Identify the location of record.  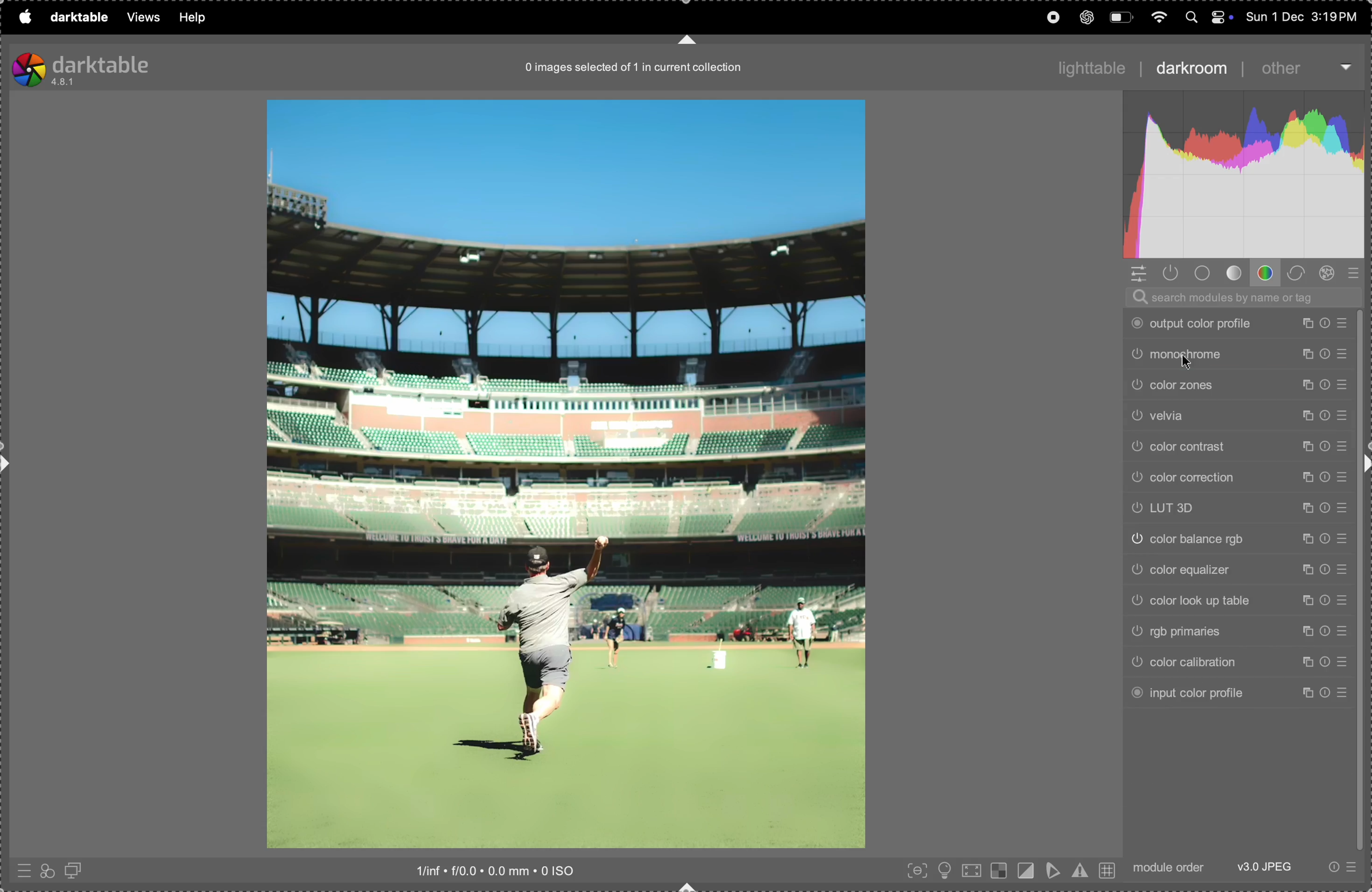
(1051, 16).